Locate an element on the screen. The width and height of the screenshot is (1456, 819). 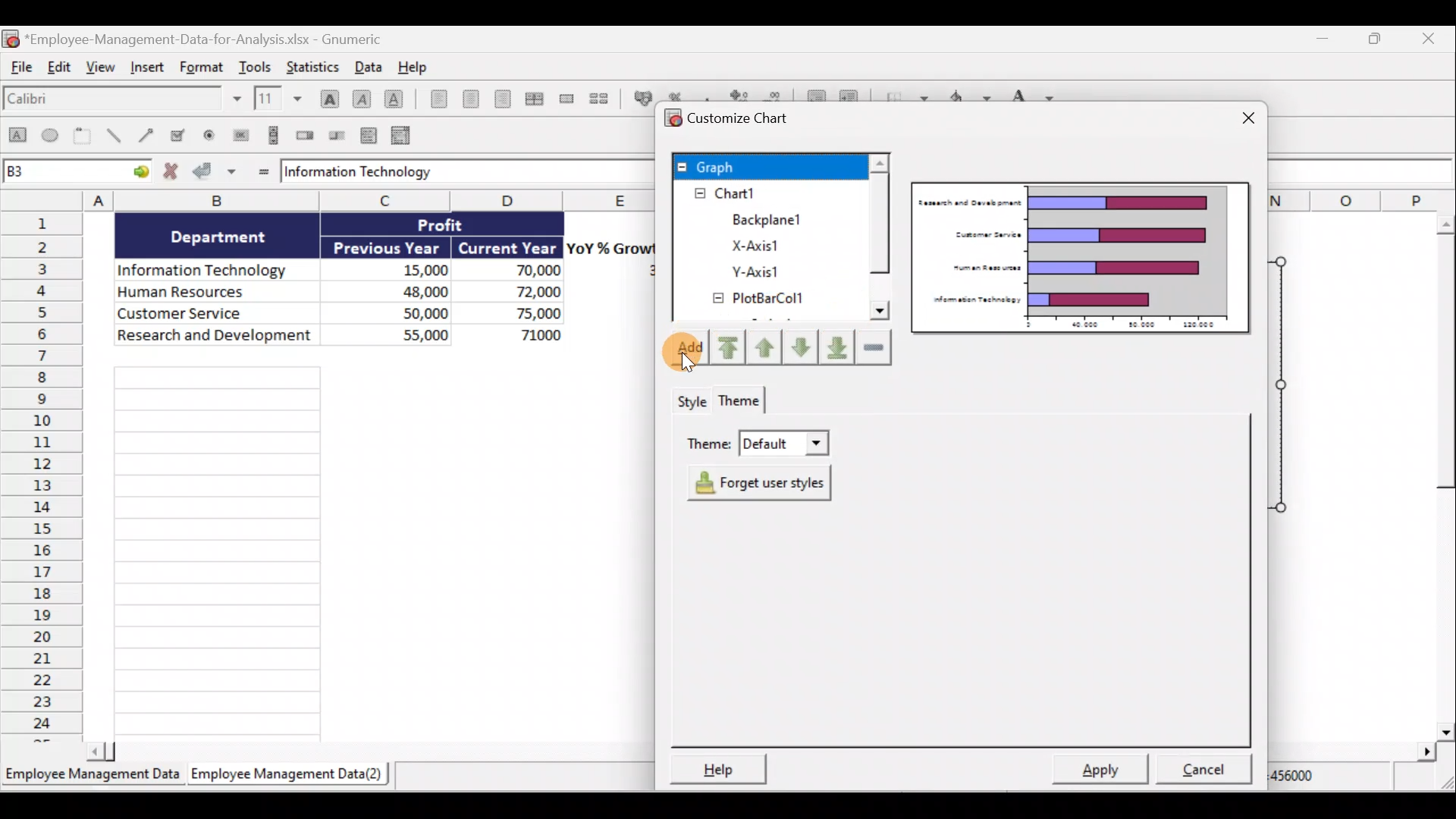
Statistics is located at coordinates (315, 65).